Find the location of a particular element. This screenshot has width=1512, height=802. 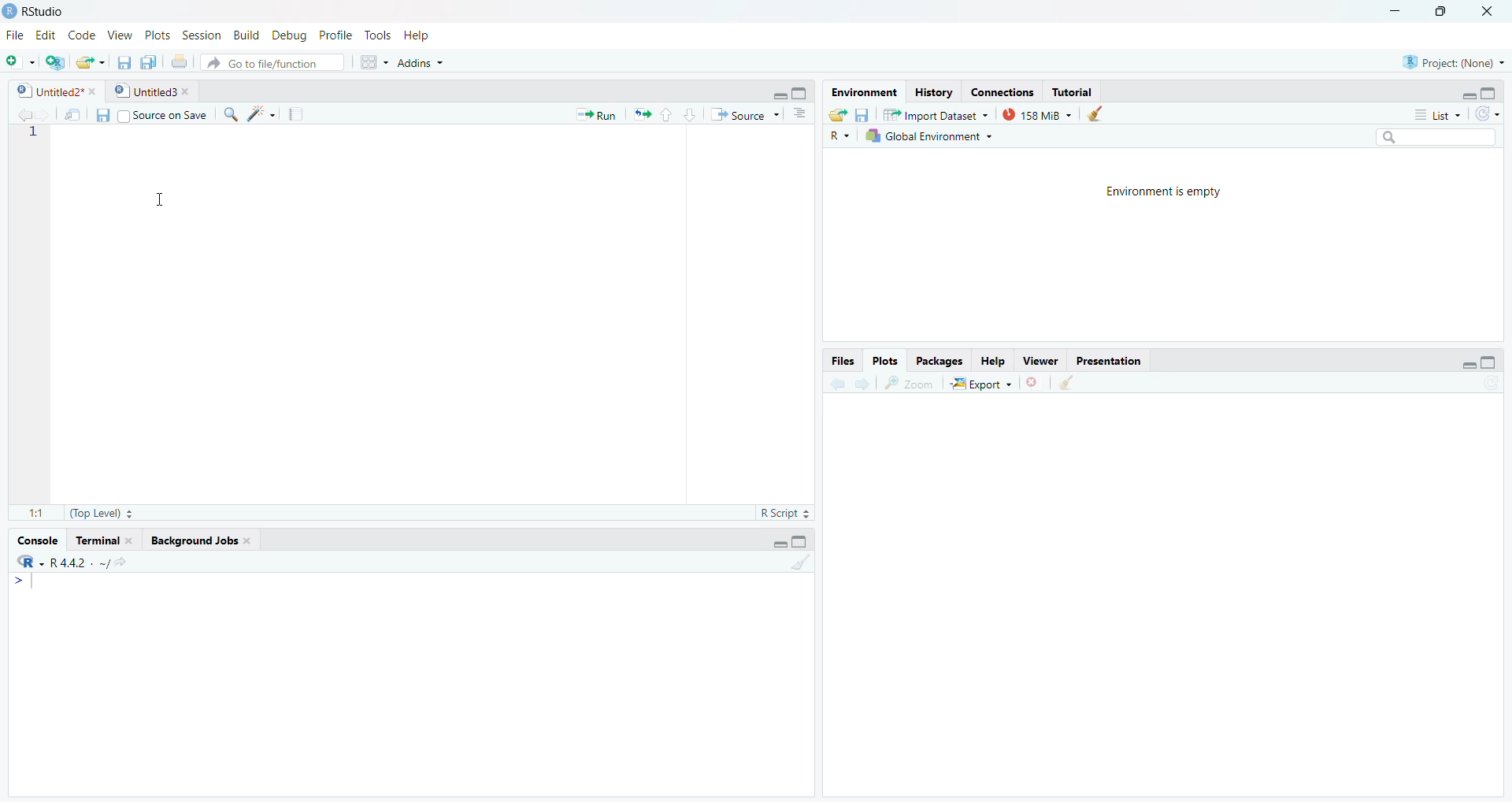

Console is located at coordinates (41, 537).